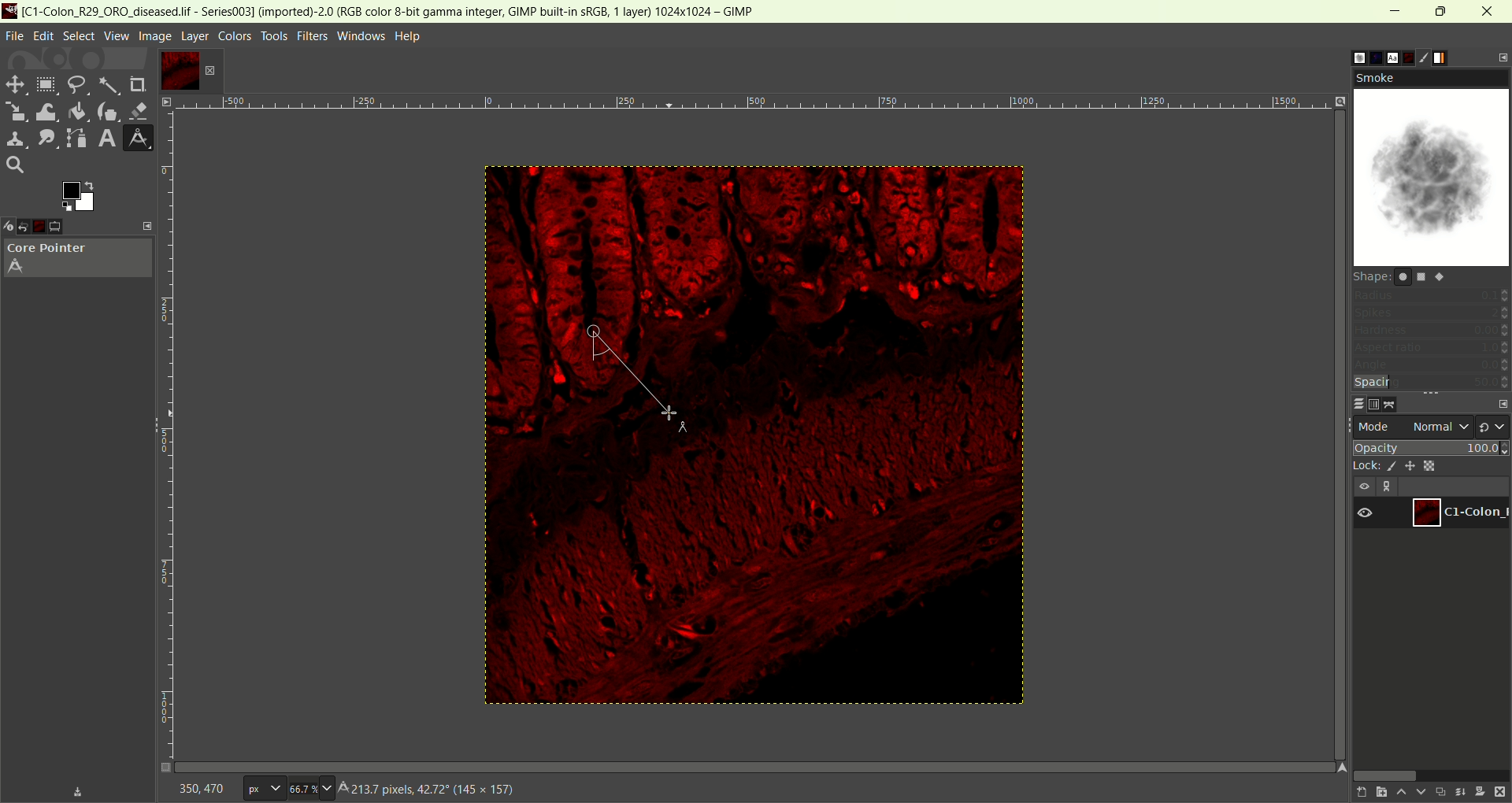 The height and width of the screenshot is (803, 1512). I want to click on Horizontal scroll bar, so click(773, 764).